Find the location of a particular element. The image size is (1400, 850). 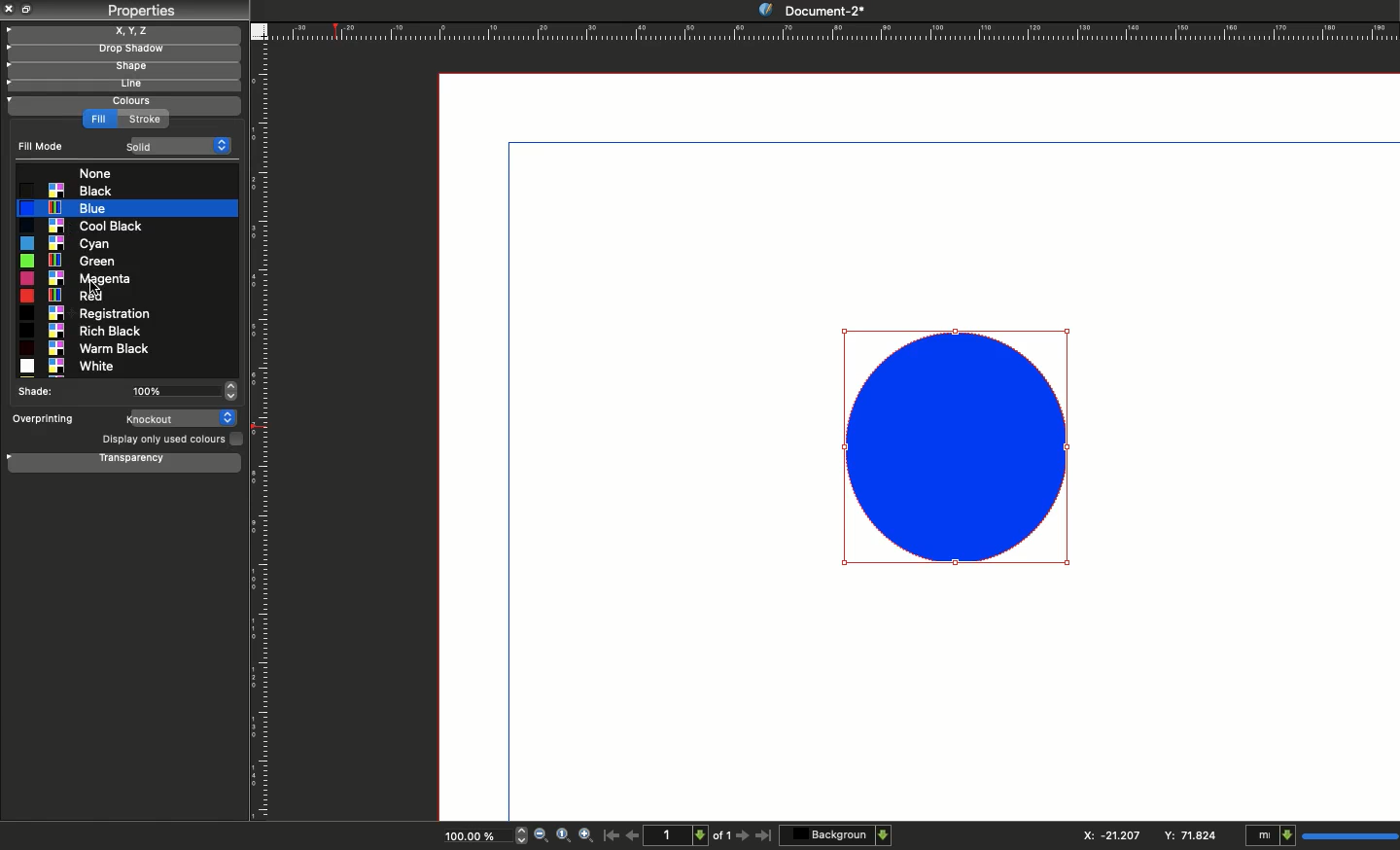

100% is located at coordinates (187, 393).